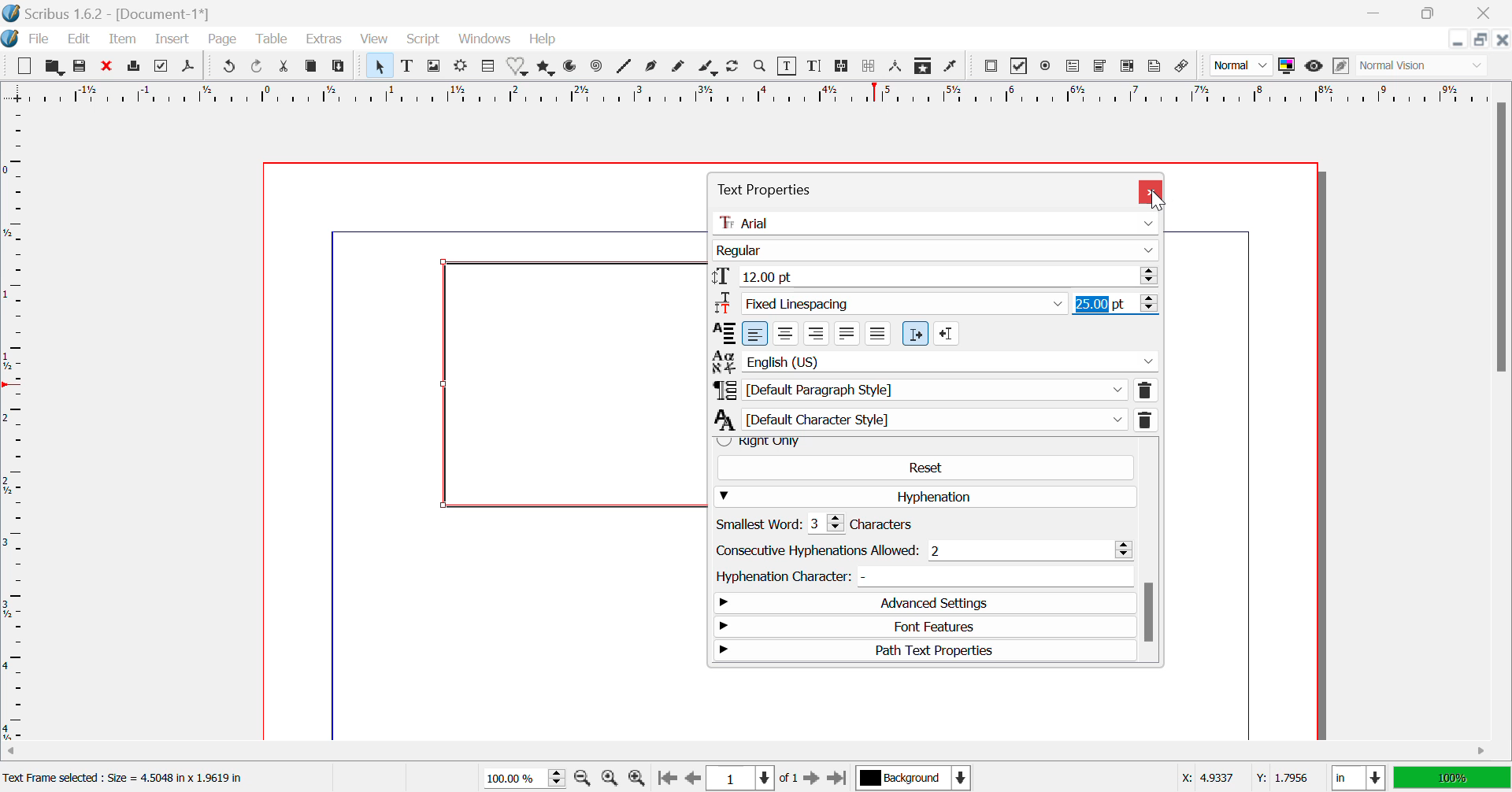 The height and width of the screenshot is (792, 1512). Describe the element at coordinates (915, 334) in the screenshot. I see `Left to right paragraph` at that location.